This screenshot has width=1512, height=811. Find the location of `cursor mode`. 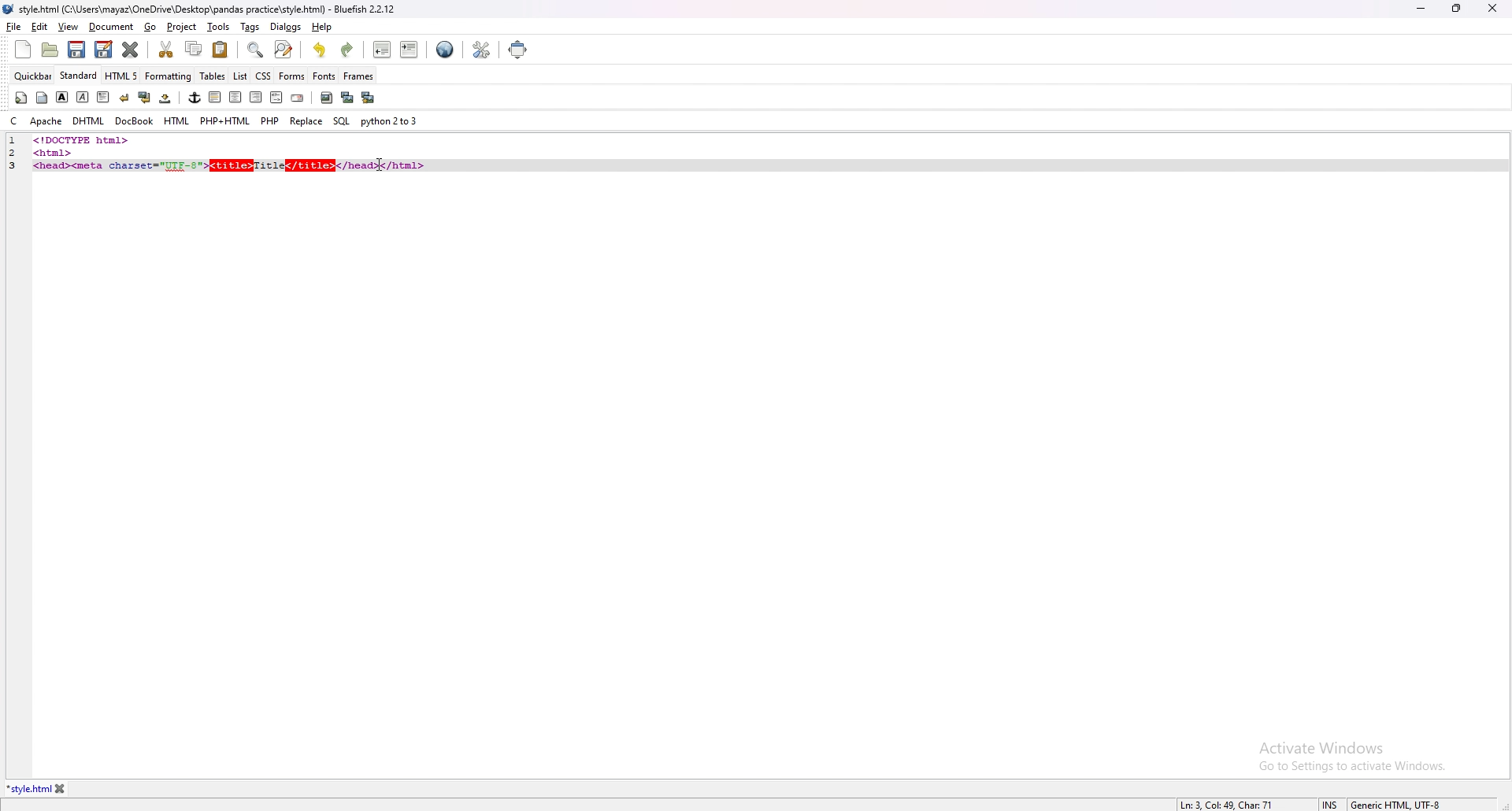

cursor mode is located at coordinates (1330, 804).